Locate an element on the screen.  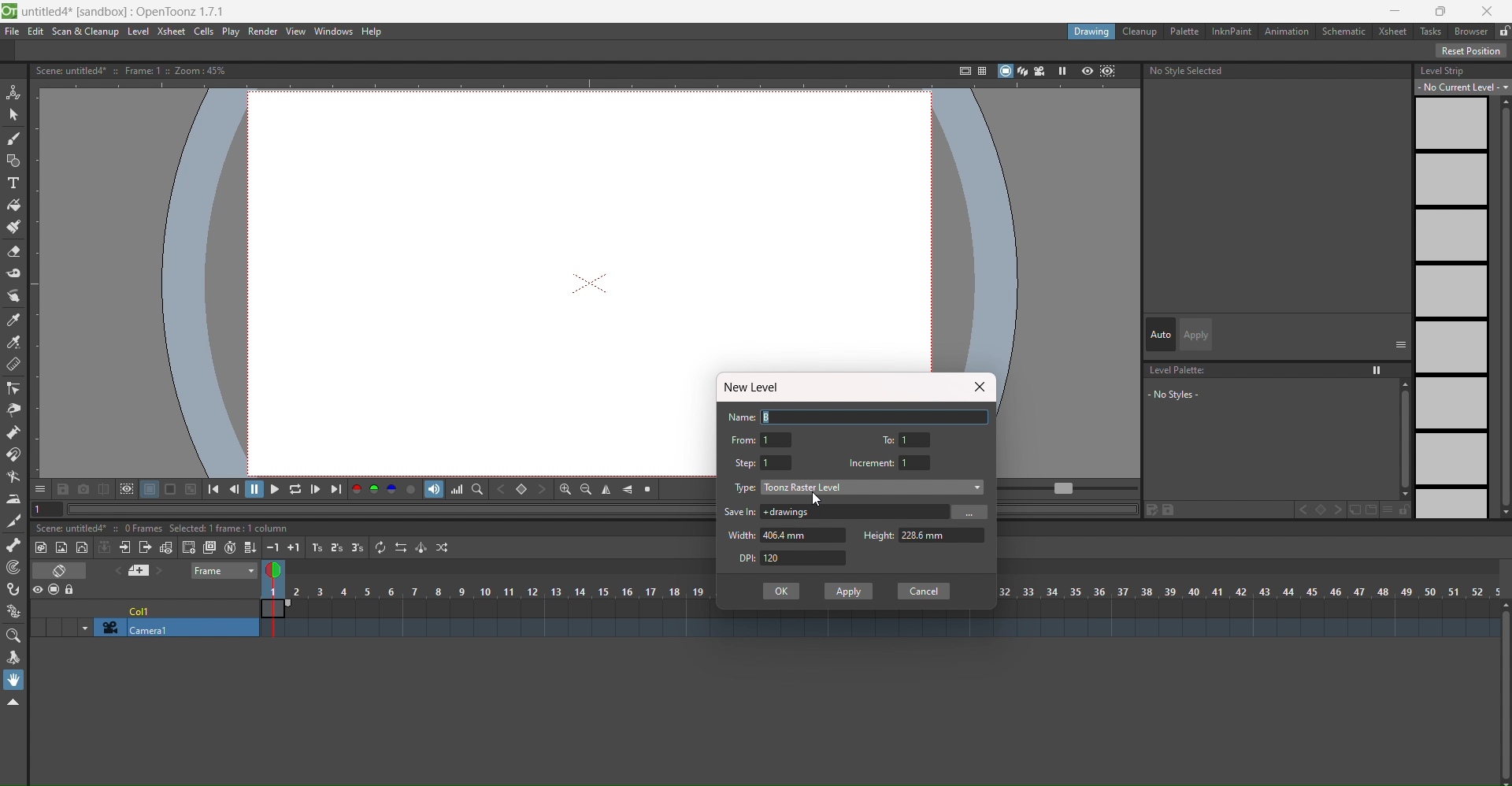
close sub xsheet is located at coordinates (145, 547).